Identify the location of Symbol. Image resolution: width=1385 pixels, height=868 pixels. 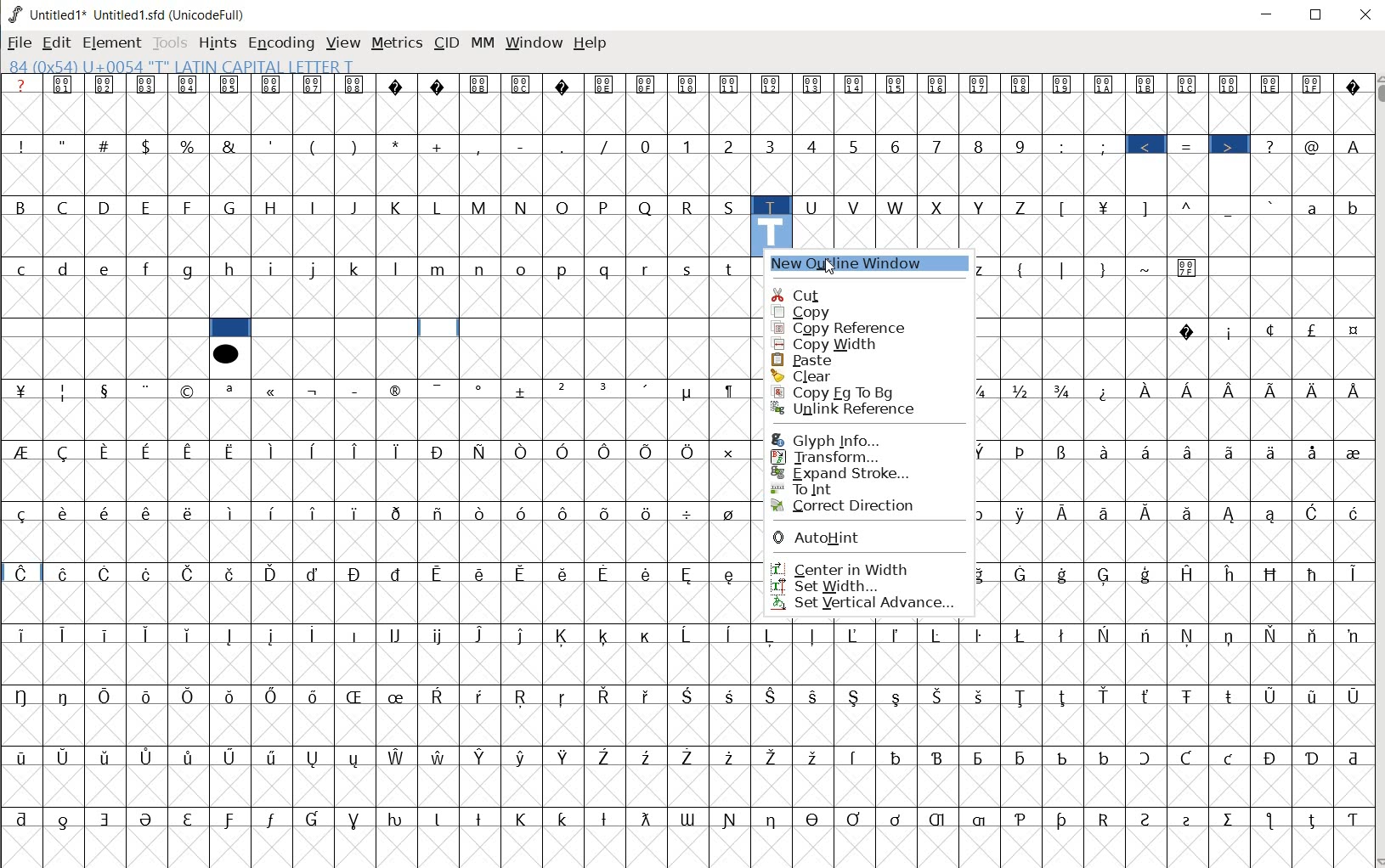
(64, 757).